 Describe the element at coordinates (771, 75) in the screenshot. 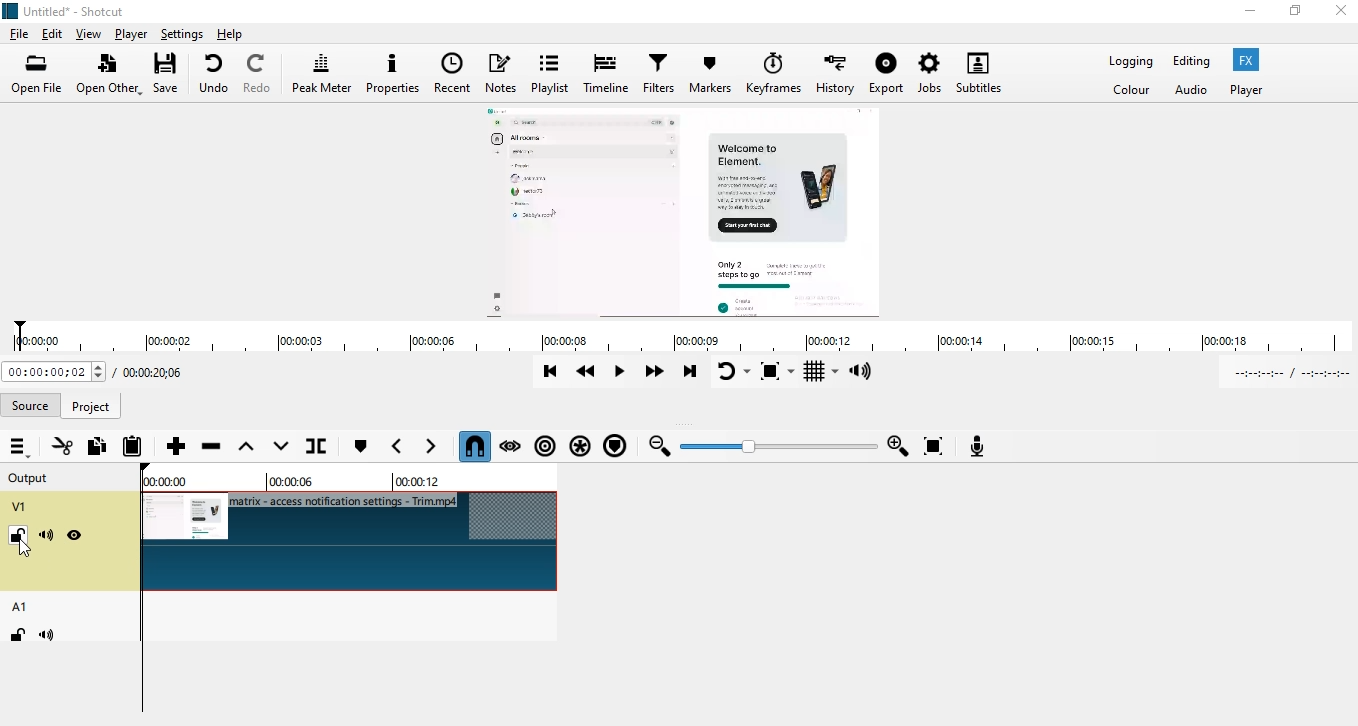

I see `keyframes` at that location.